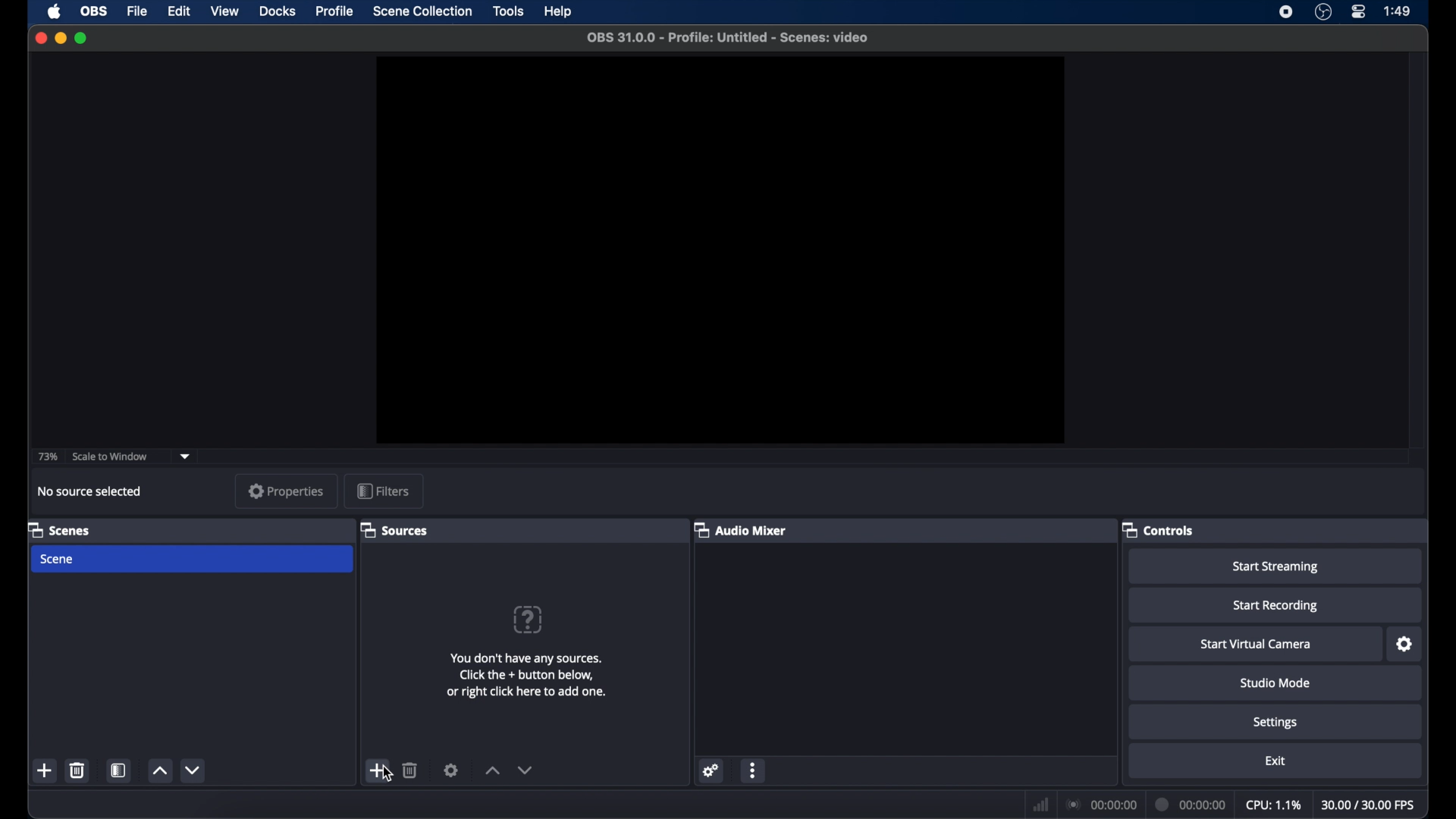 The width and height of the screenshot is (1456, 819). Describe the element at coordinates (526, 769) in the screenshot. I see `decrement` at that location.